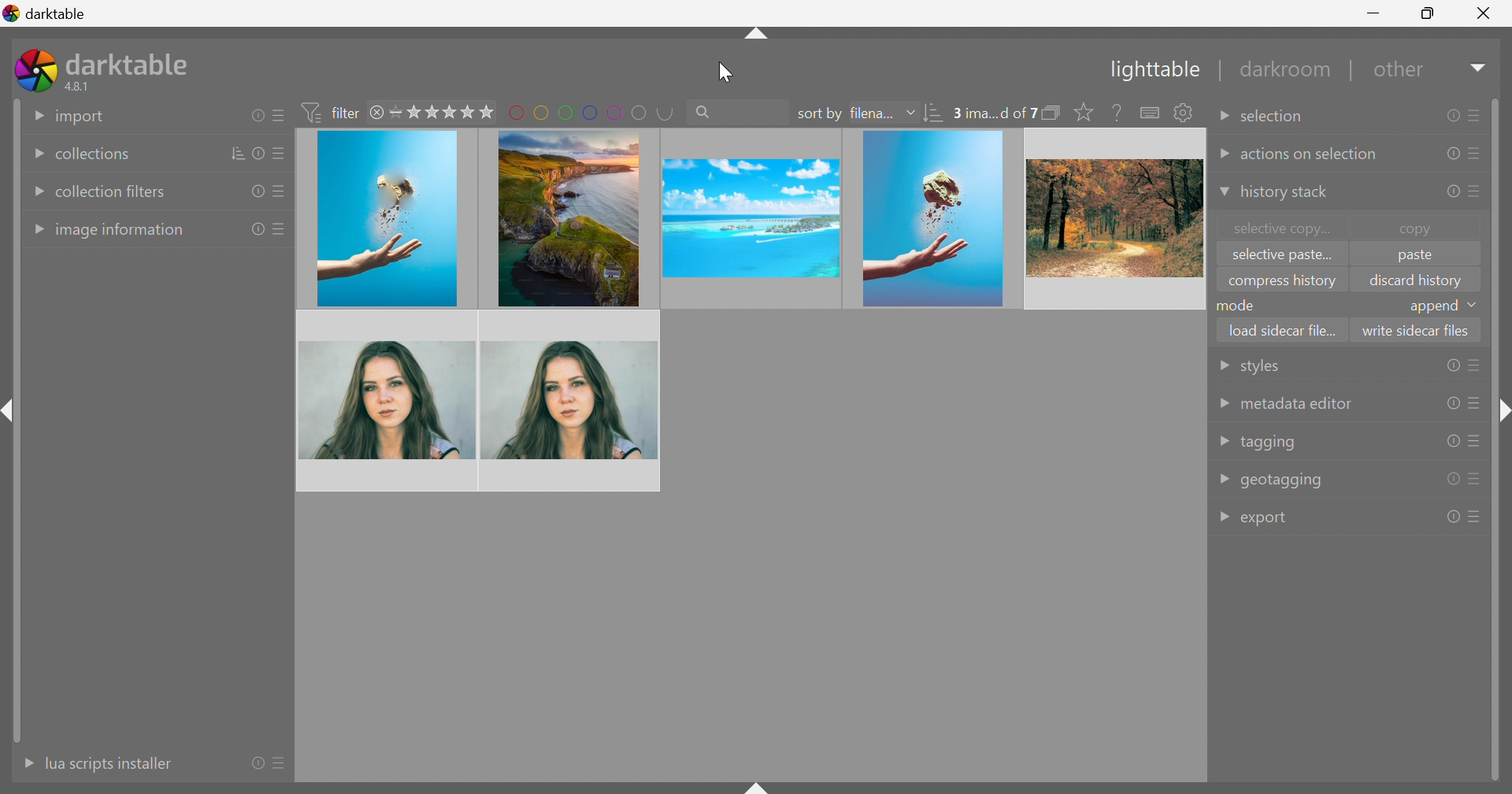 This screenshot has height=794, width=1512. I want to click on selective paste..., so click(1278, 256).